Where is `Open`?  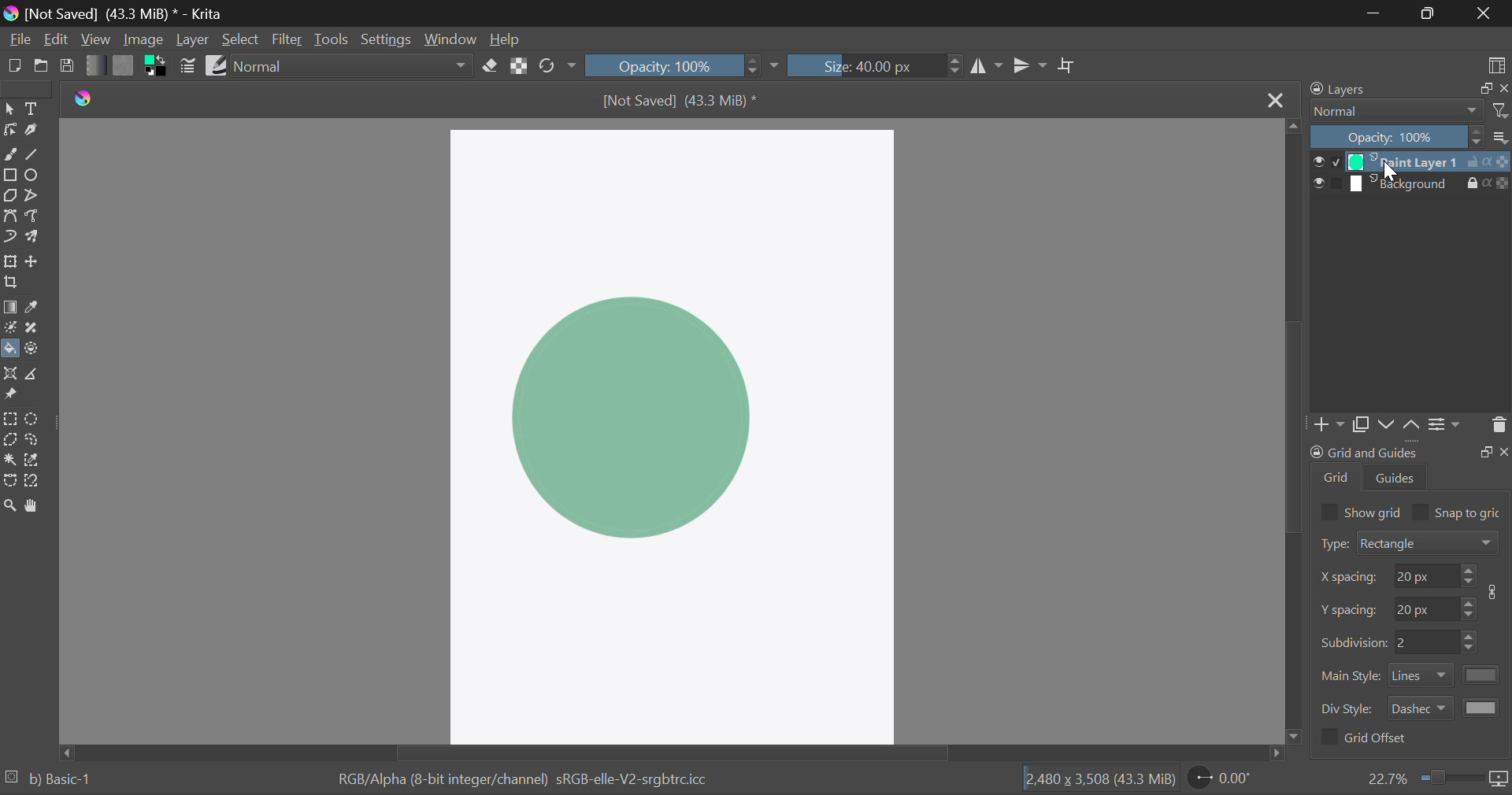
Open is located at coordinates (43, 65).